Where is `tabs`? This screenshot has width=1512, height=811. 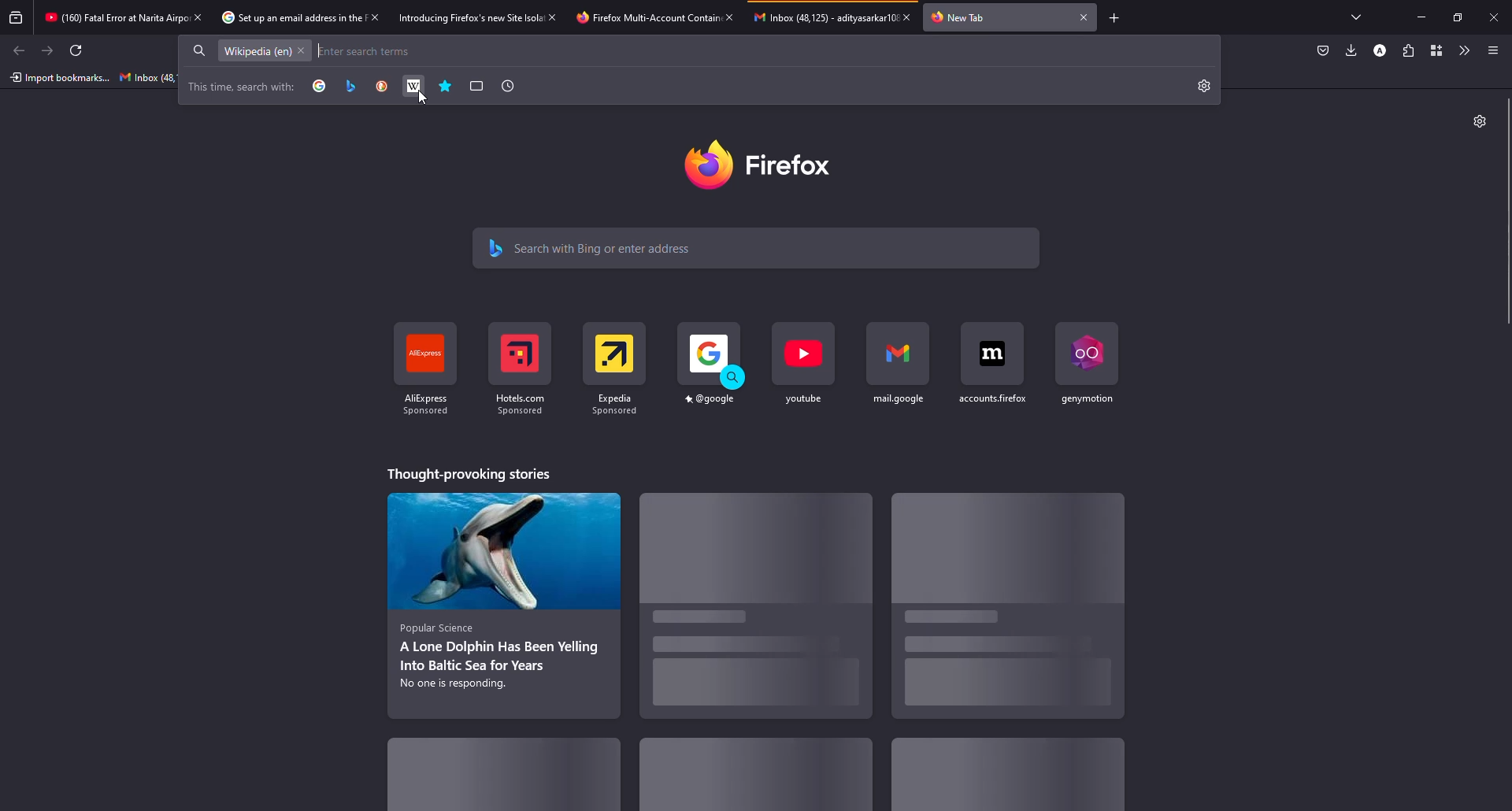
tabs is located at coordinates (1361, 17).